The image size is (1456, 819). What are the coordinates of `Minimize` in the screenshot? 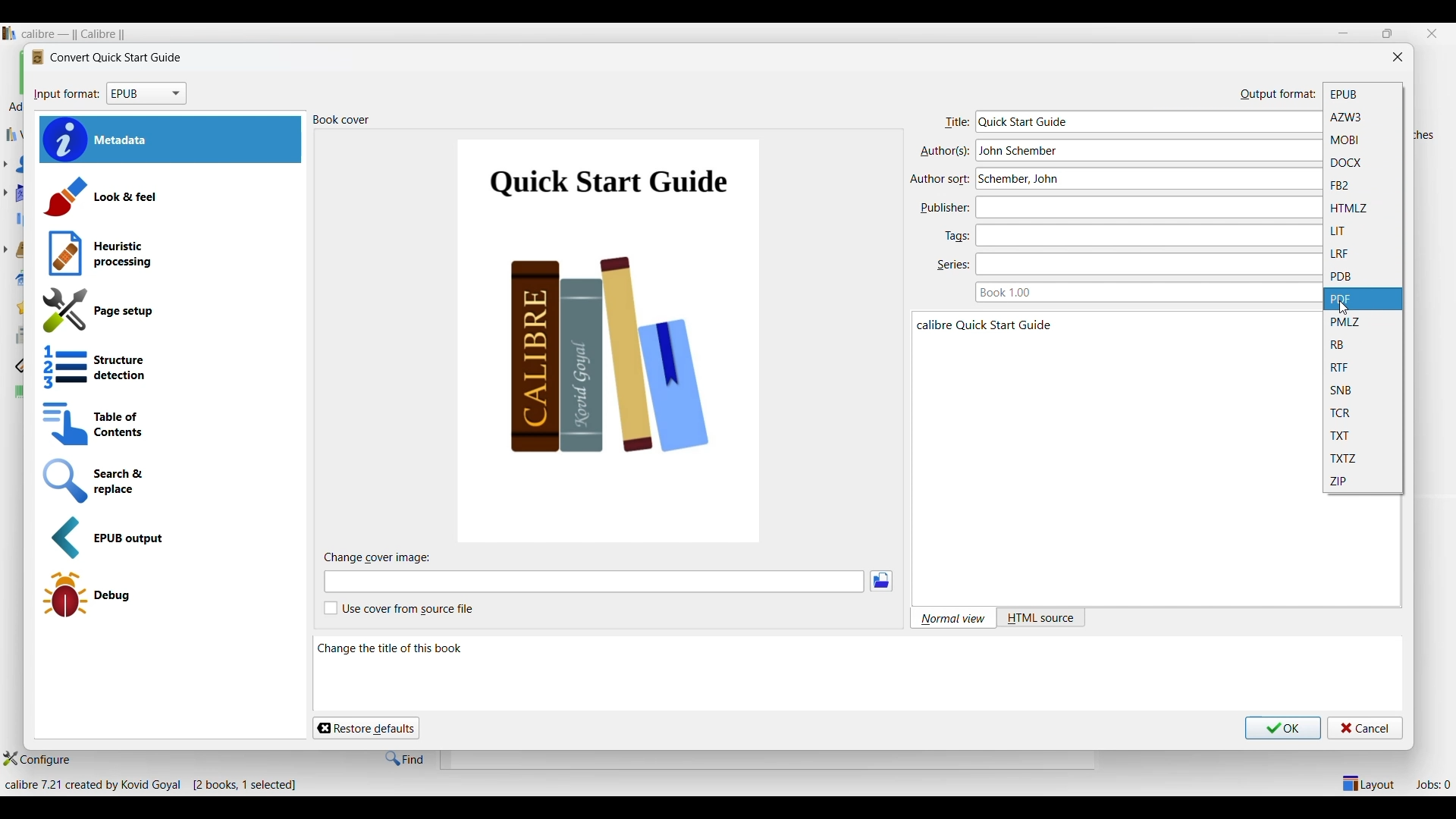 It's located at (1343, 33).